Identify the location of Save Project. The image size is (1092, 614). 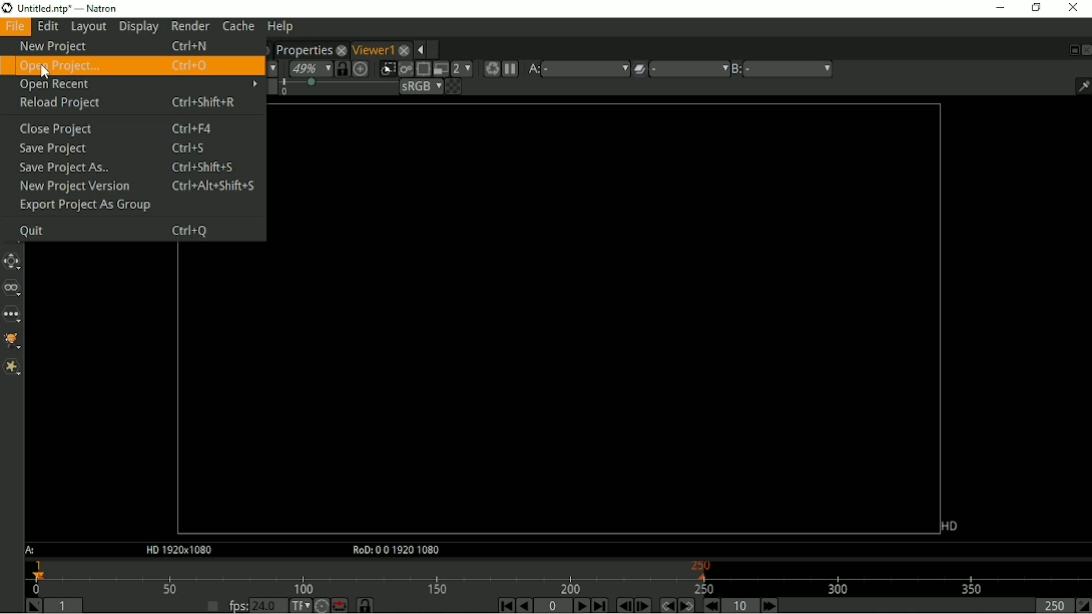
(110, 150).